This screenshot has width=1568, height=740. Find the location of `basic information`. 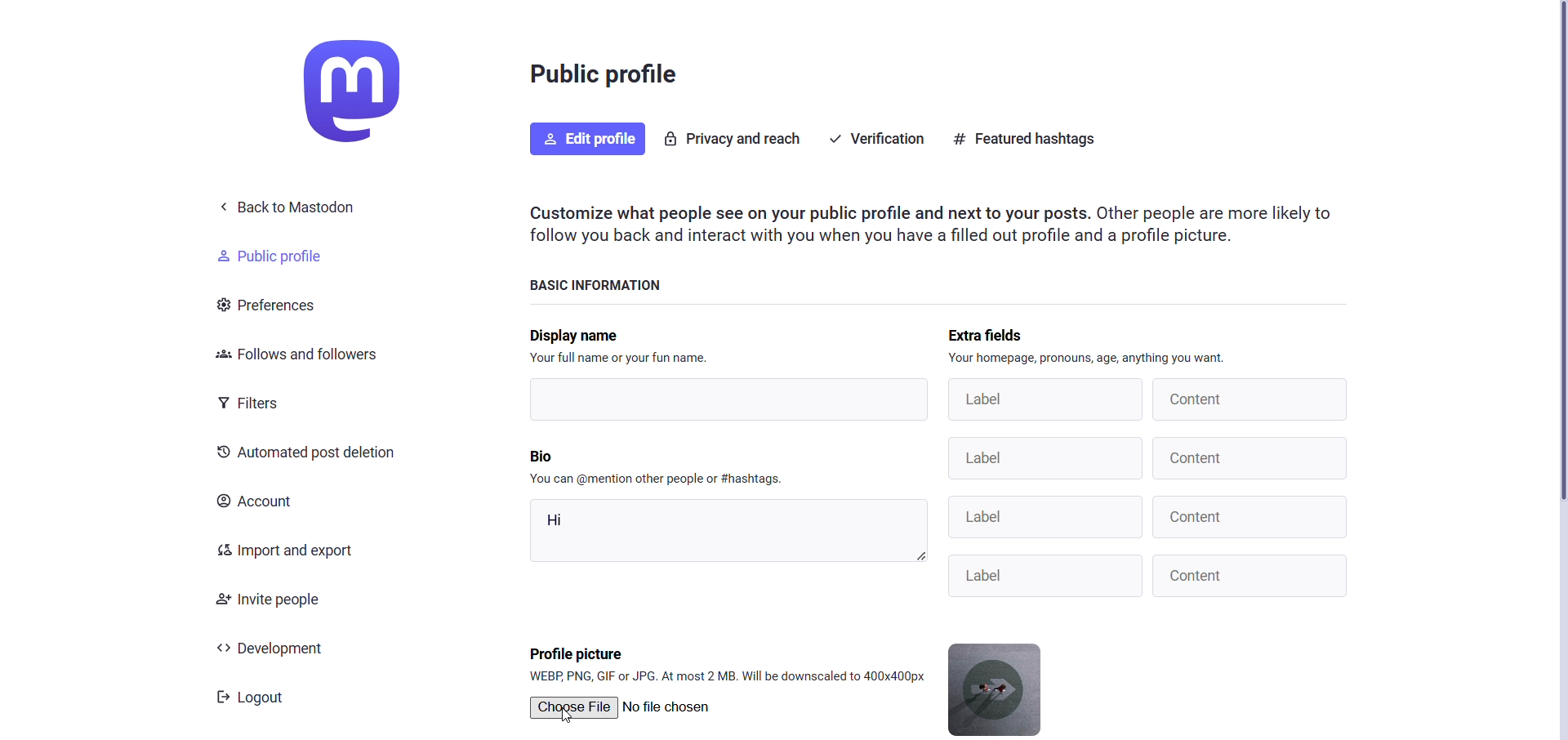

basic information is located at coordinates (593, 285).